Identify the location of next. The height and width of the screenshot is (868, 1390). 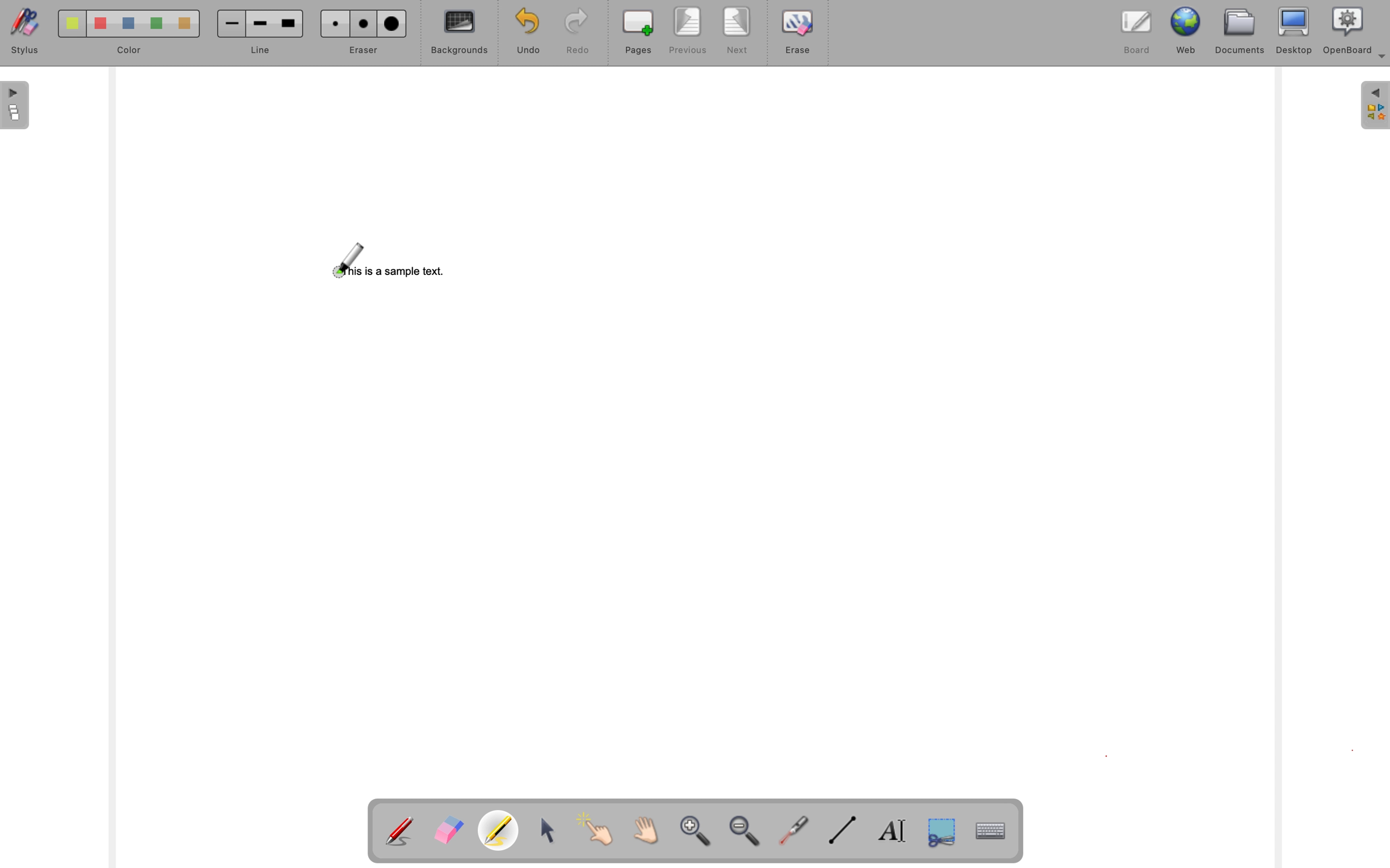
(736, 31).